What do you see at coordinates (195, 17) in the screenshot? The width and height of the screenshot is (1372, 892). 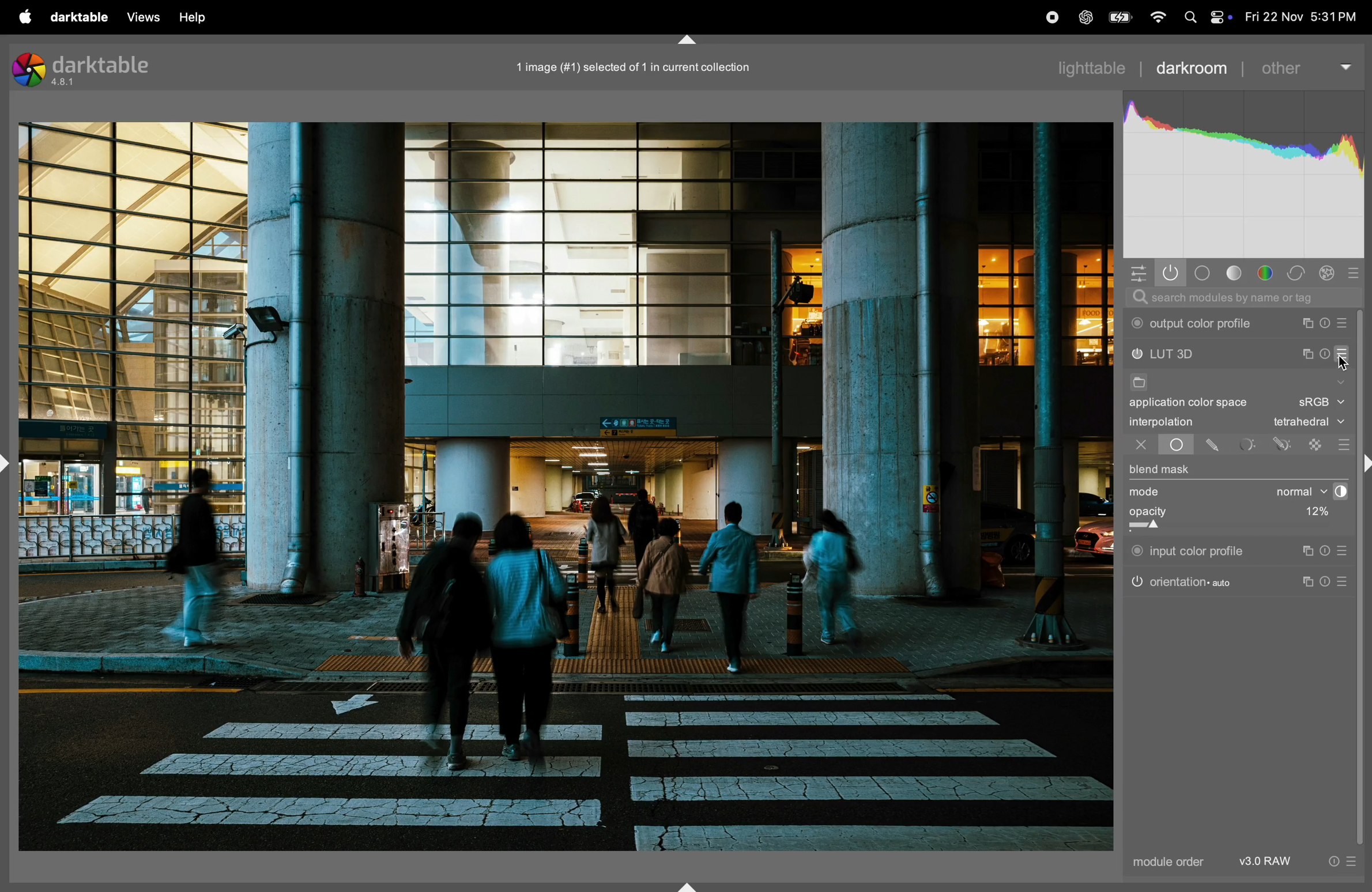 I see `help` at bounding box center [195, 17].